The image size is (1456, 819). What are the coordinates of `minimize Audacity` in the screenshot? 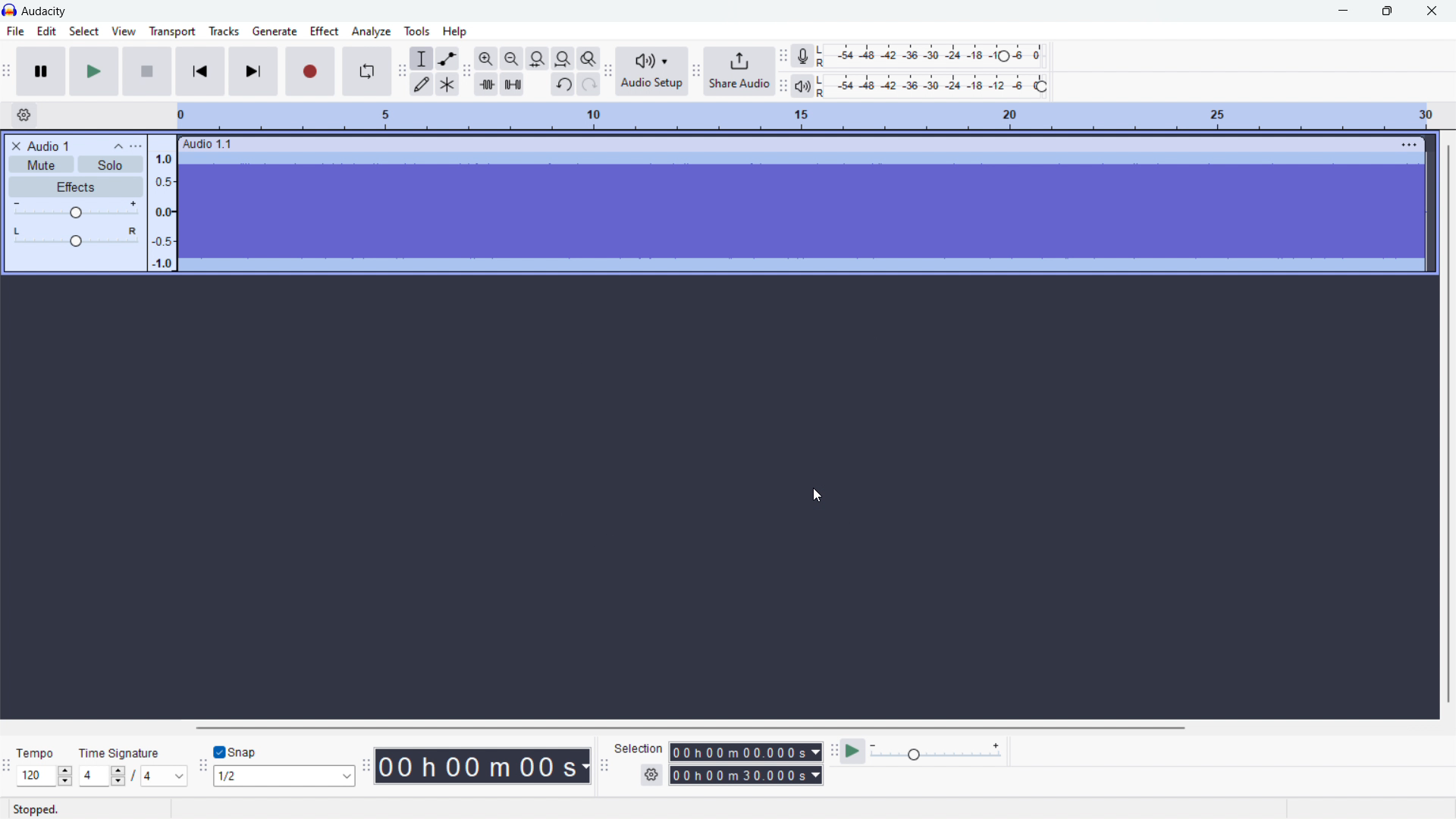 It's located at (1345, 11).